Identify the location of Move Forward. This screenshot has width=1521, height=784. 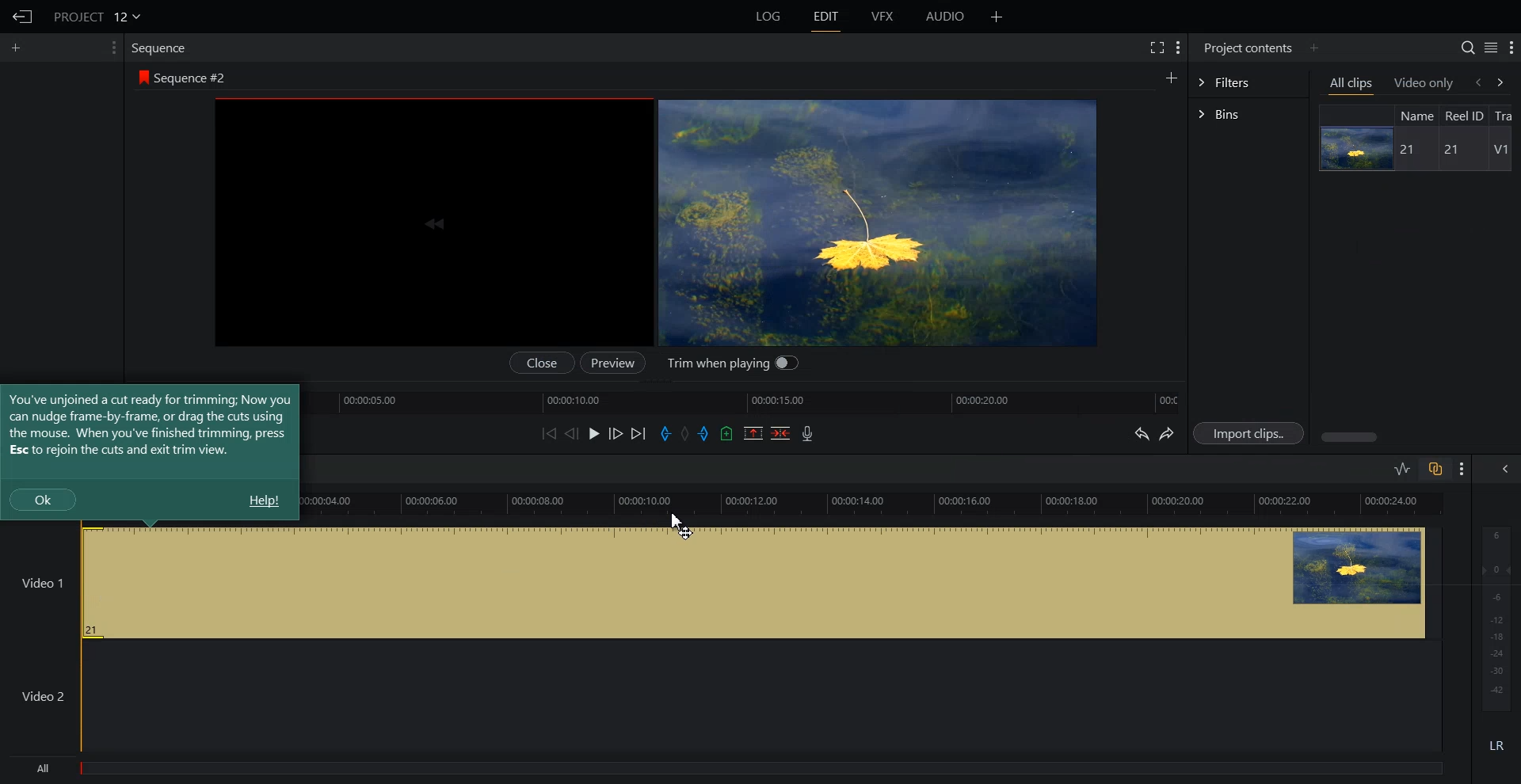
(638, 433).